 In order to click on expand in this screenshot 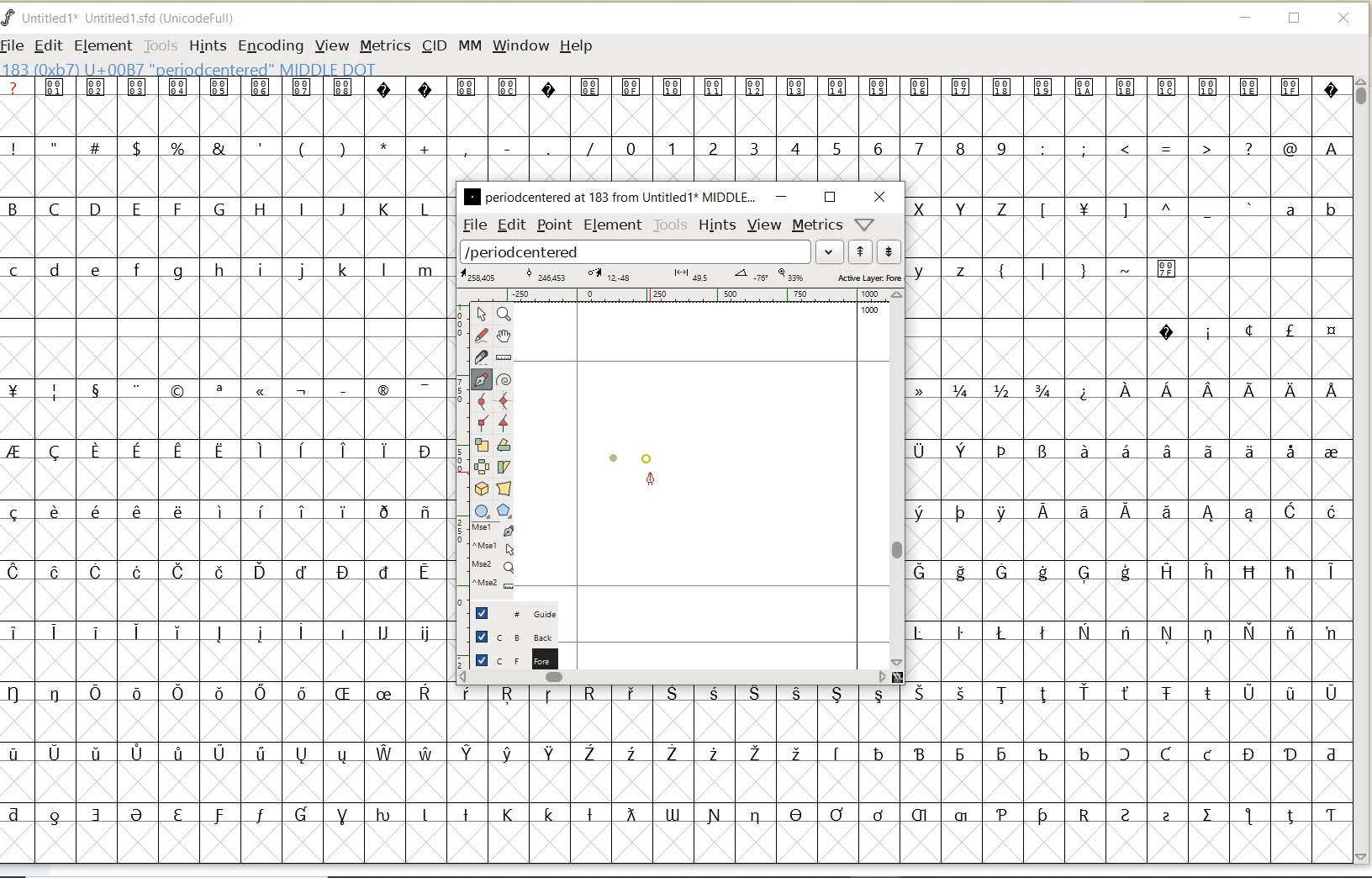, I will do `click(830, 251)`.